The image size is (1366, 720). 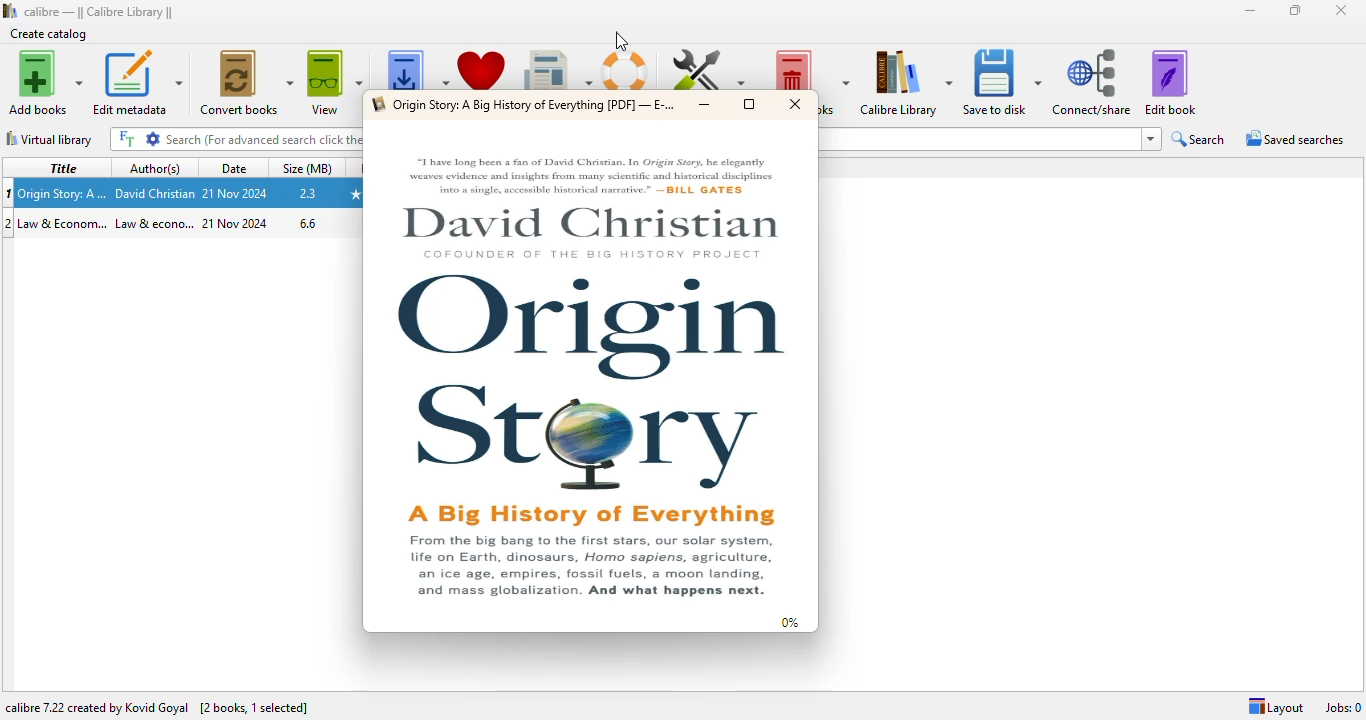 What do you see at coordinates (61, 167) in the screenshot?
I see `title` at bounding box center [61, 167].